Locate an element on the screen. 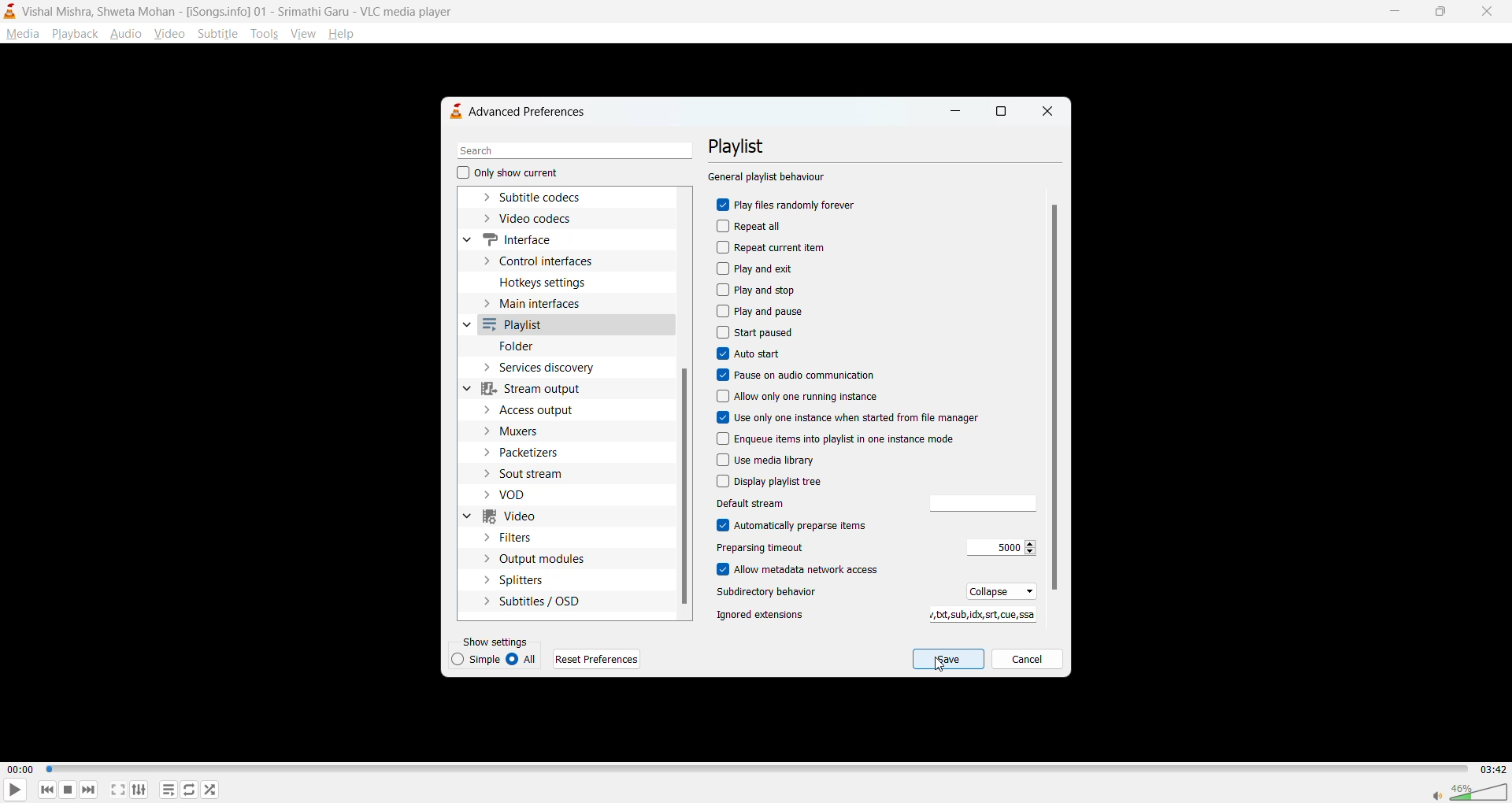 Image resolution: width=1512 pixels, height=803 pixels. services discovery is located at coordinates (550, 368).